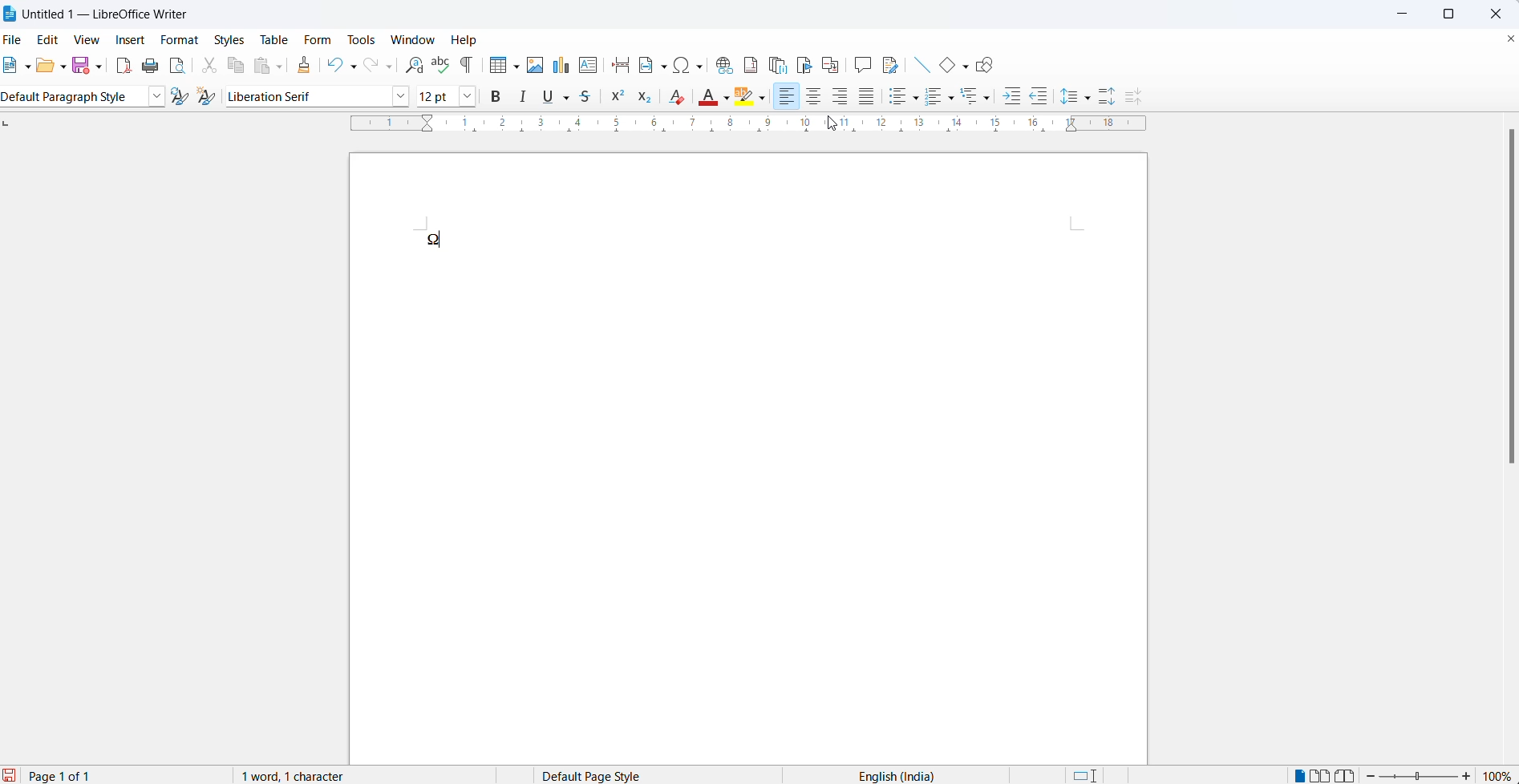  Describe the element at coordinates (569, 98) in the screenshot. I see `underline options` at that location.